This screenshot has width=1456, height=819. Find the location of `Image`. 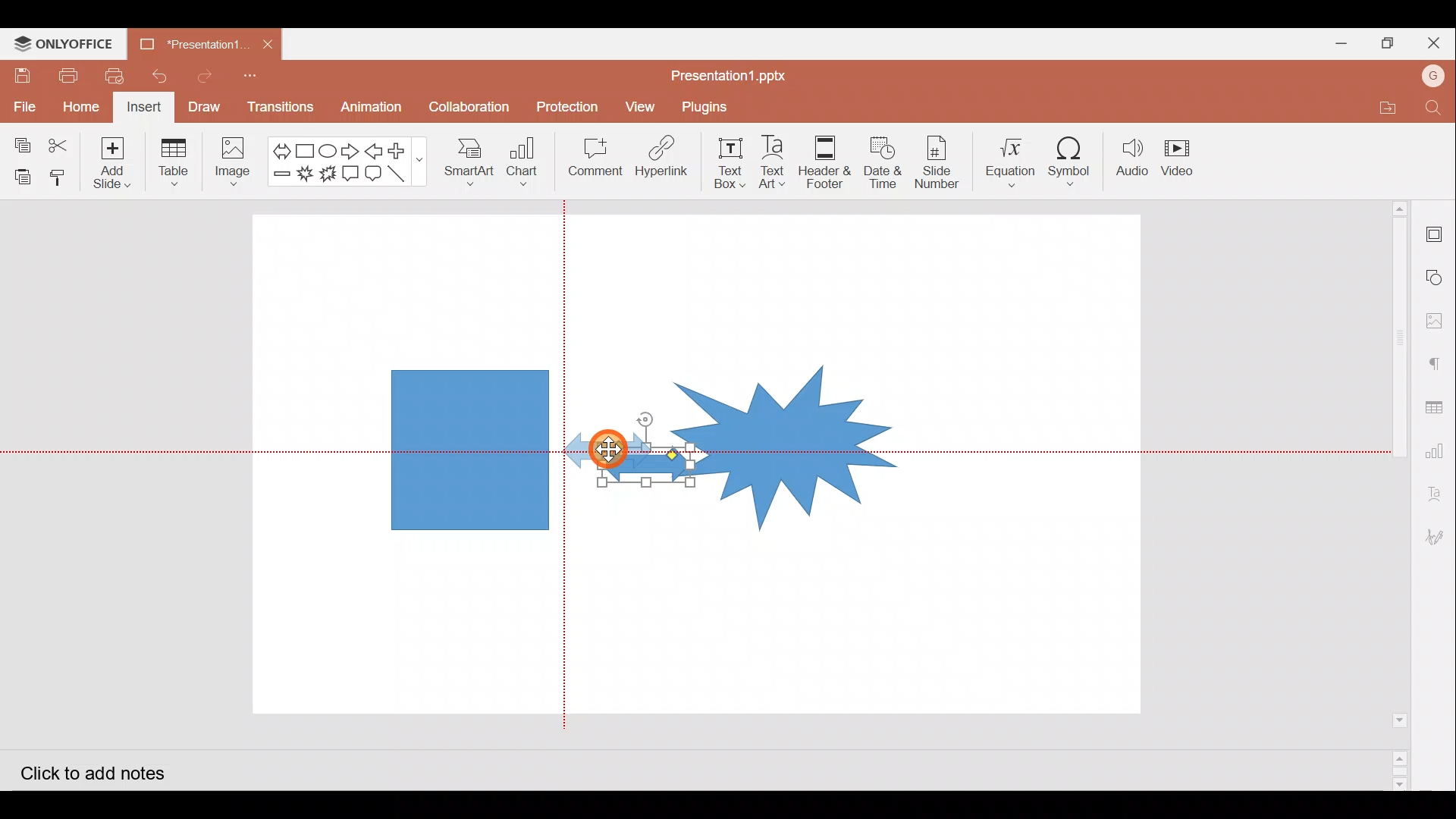

Image is located at coordinates (233, 160).